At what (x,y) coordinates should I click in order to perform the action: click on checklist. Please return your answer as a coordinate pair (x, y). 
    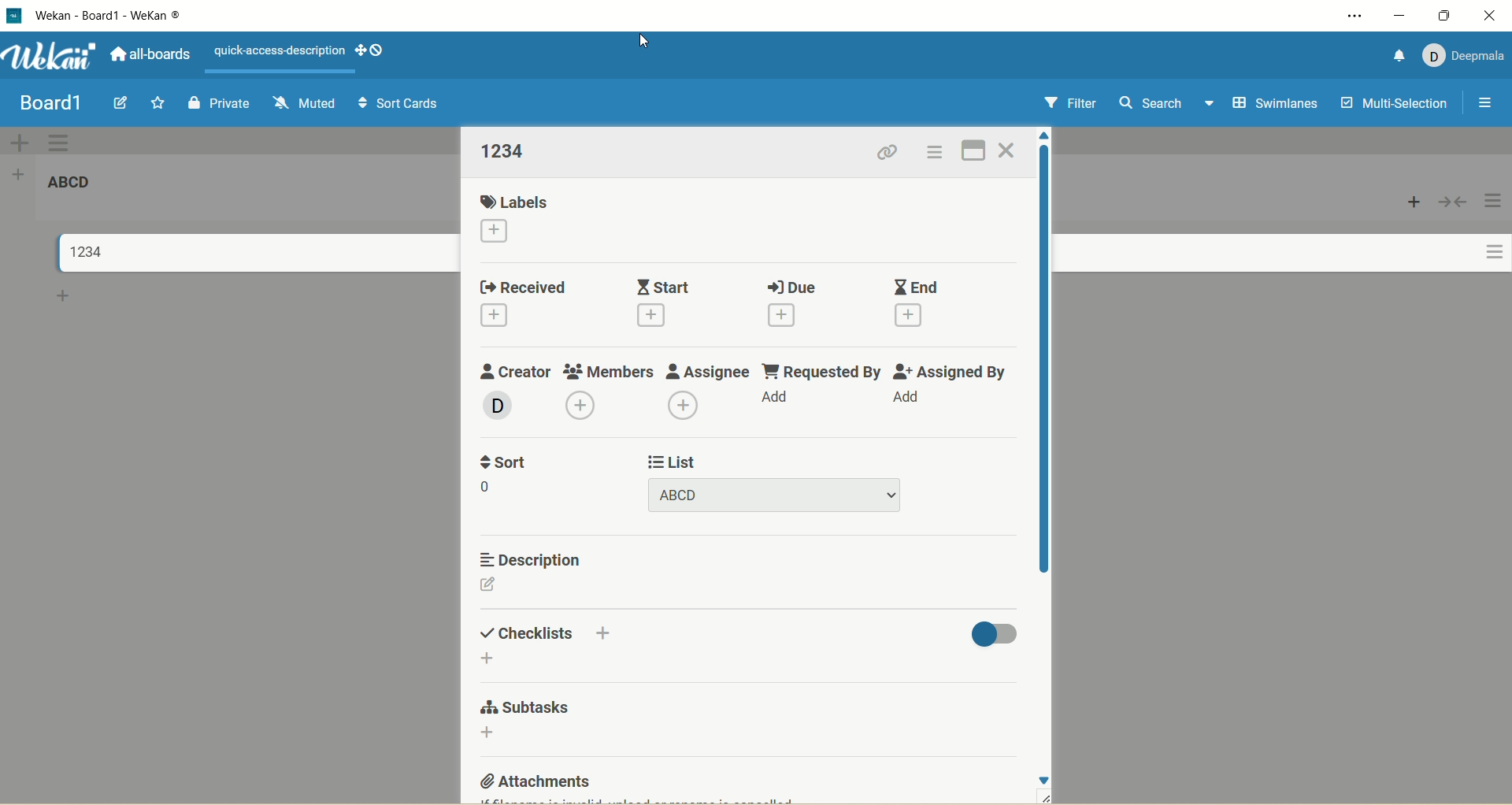
    Looking at the image, I should click on (528, 634).